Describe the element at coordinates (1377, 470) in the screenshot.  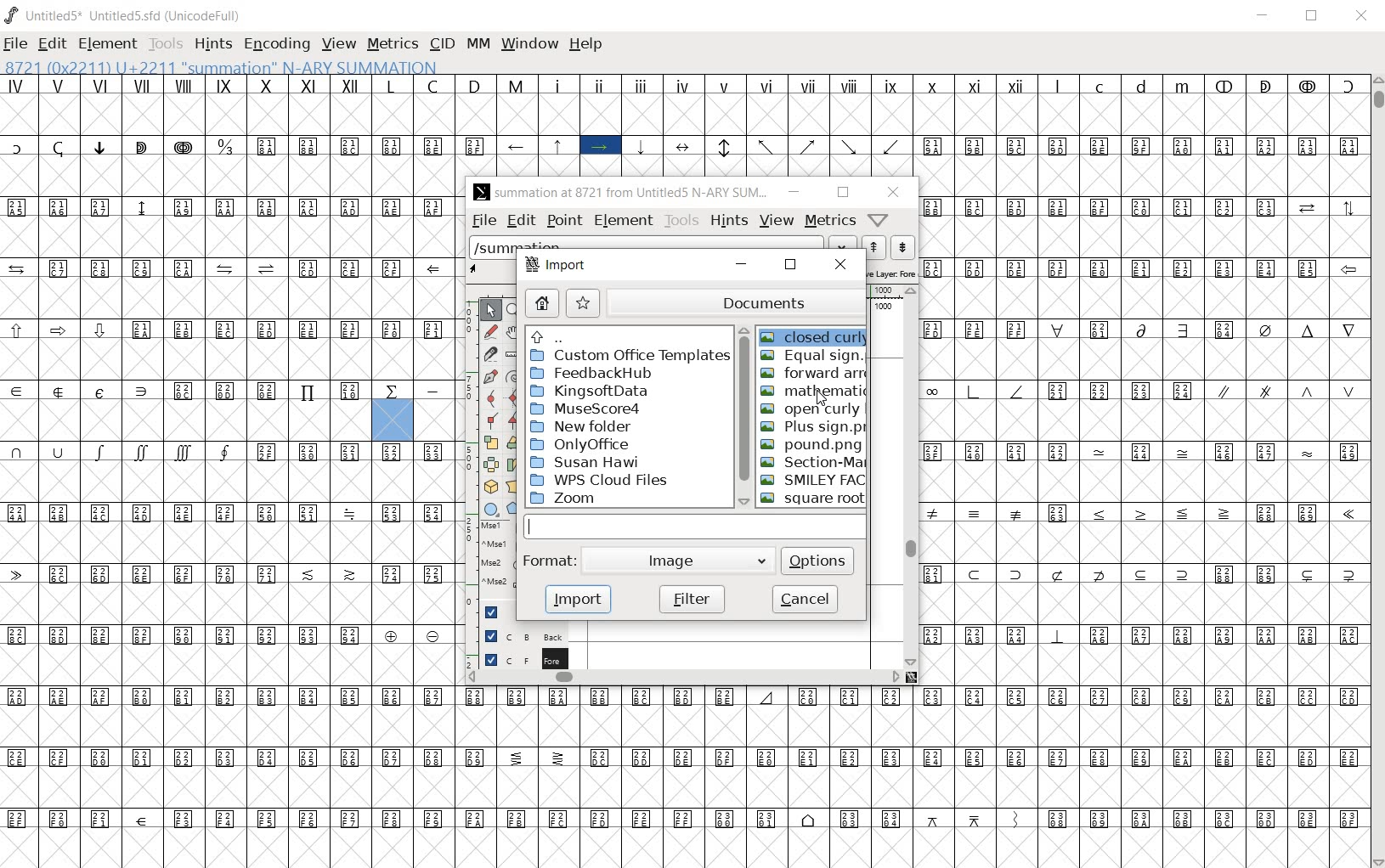
I see `SCROLLBAR` at that location.